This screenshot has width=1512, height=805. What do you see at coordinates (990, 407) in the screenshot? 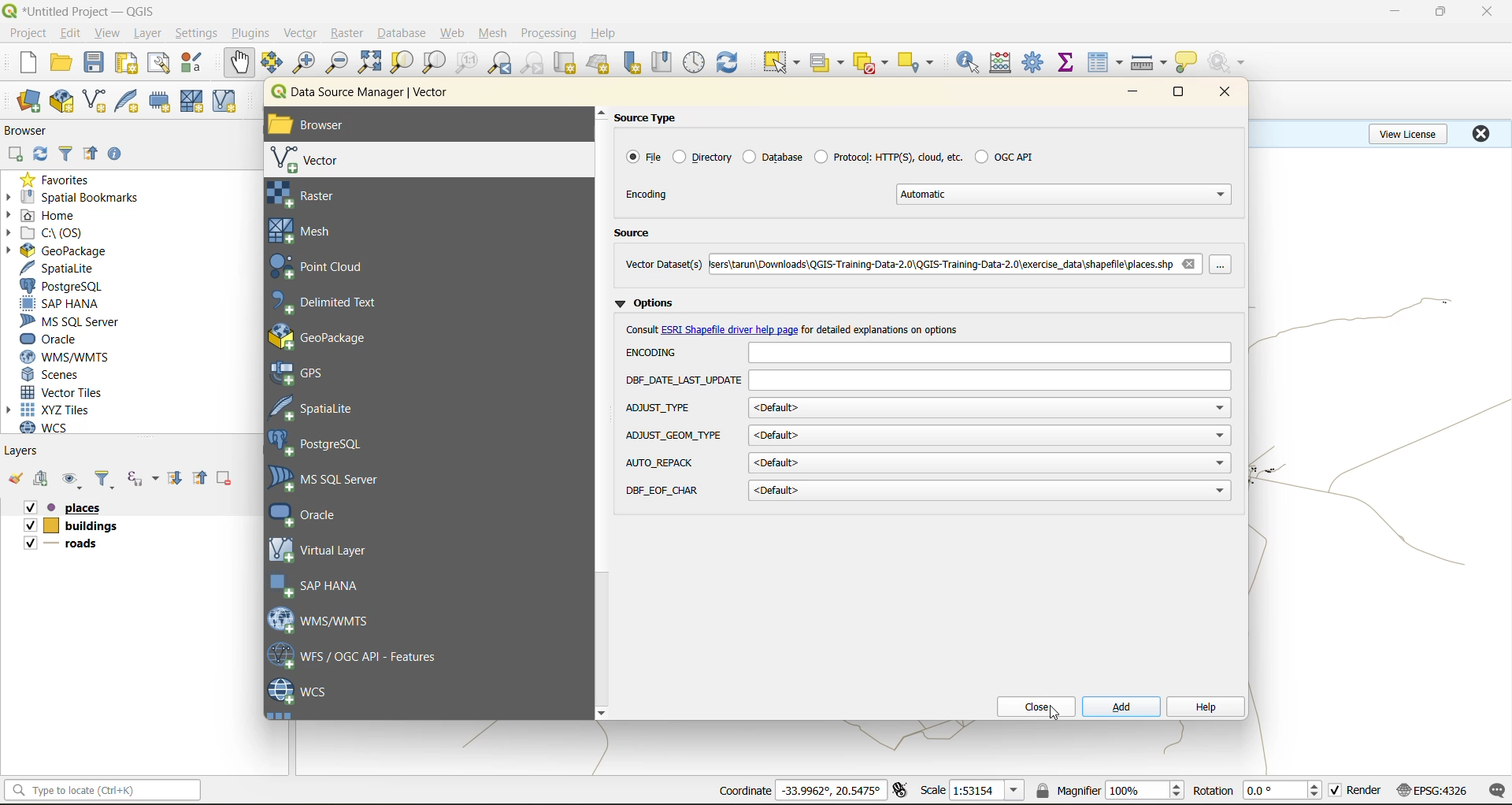
I see `adjust type` at bounding box center [990, 407].